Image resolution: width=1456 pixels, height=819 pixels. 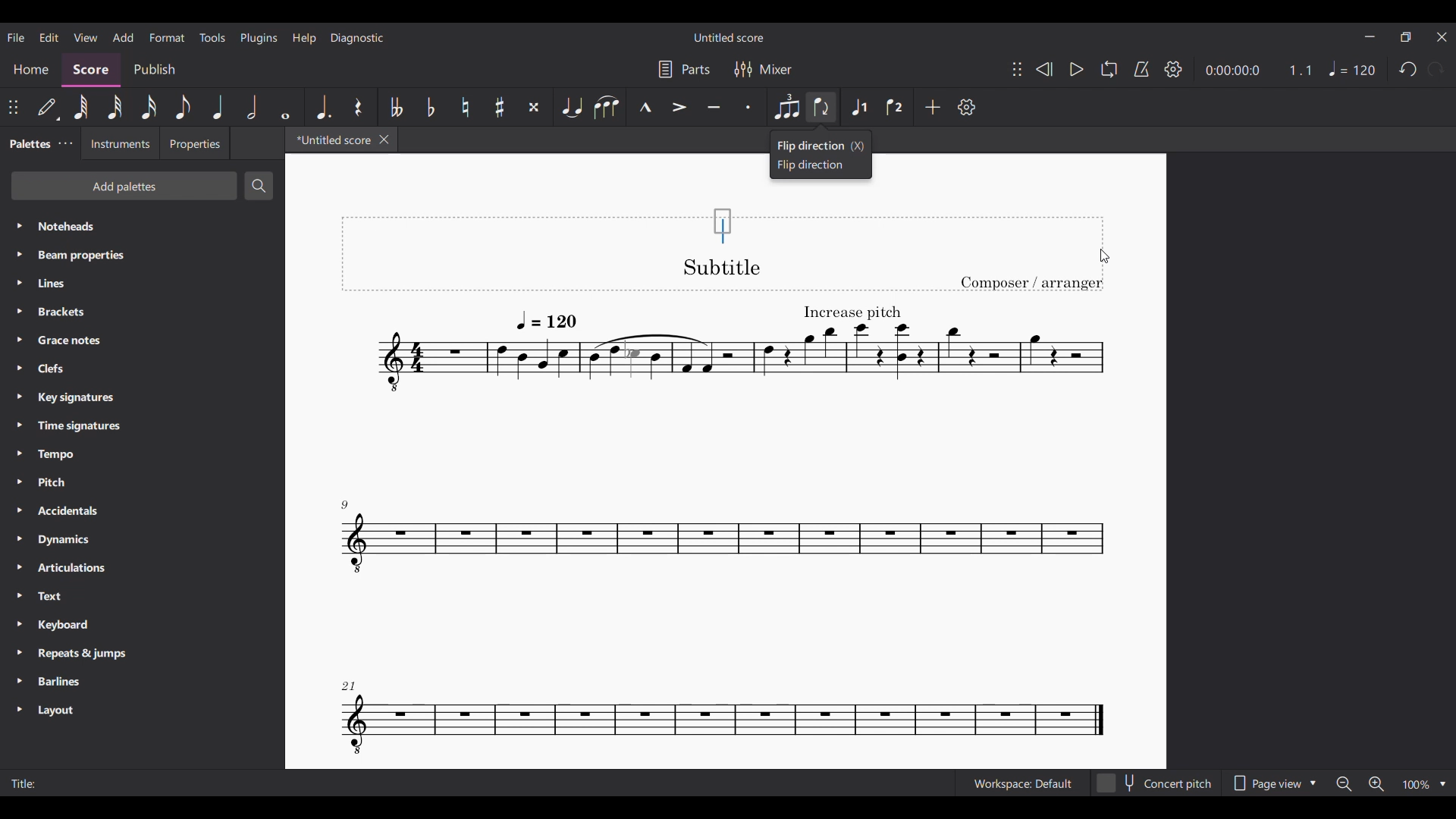 What do you see at coordinates (359, 107) in the screenshot?
I see `Rest` at bounding box center [359, 107].